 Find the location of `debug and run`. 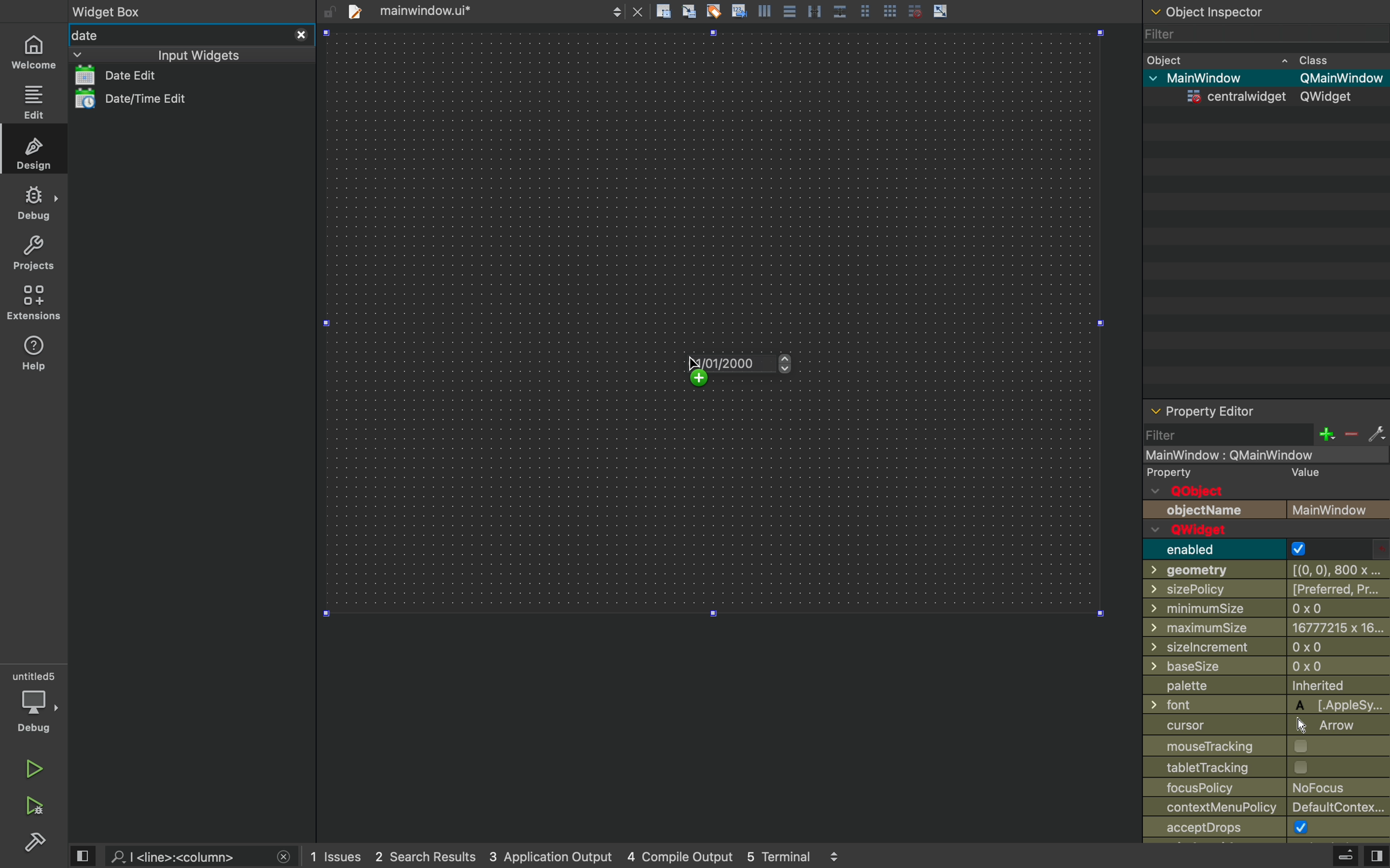

debug and run is located at coordinates (37, 805).